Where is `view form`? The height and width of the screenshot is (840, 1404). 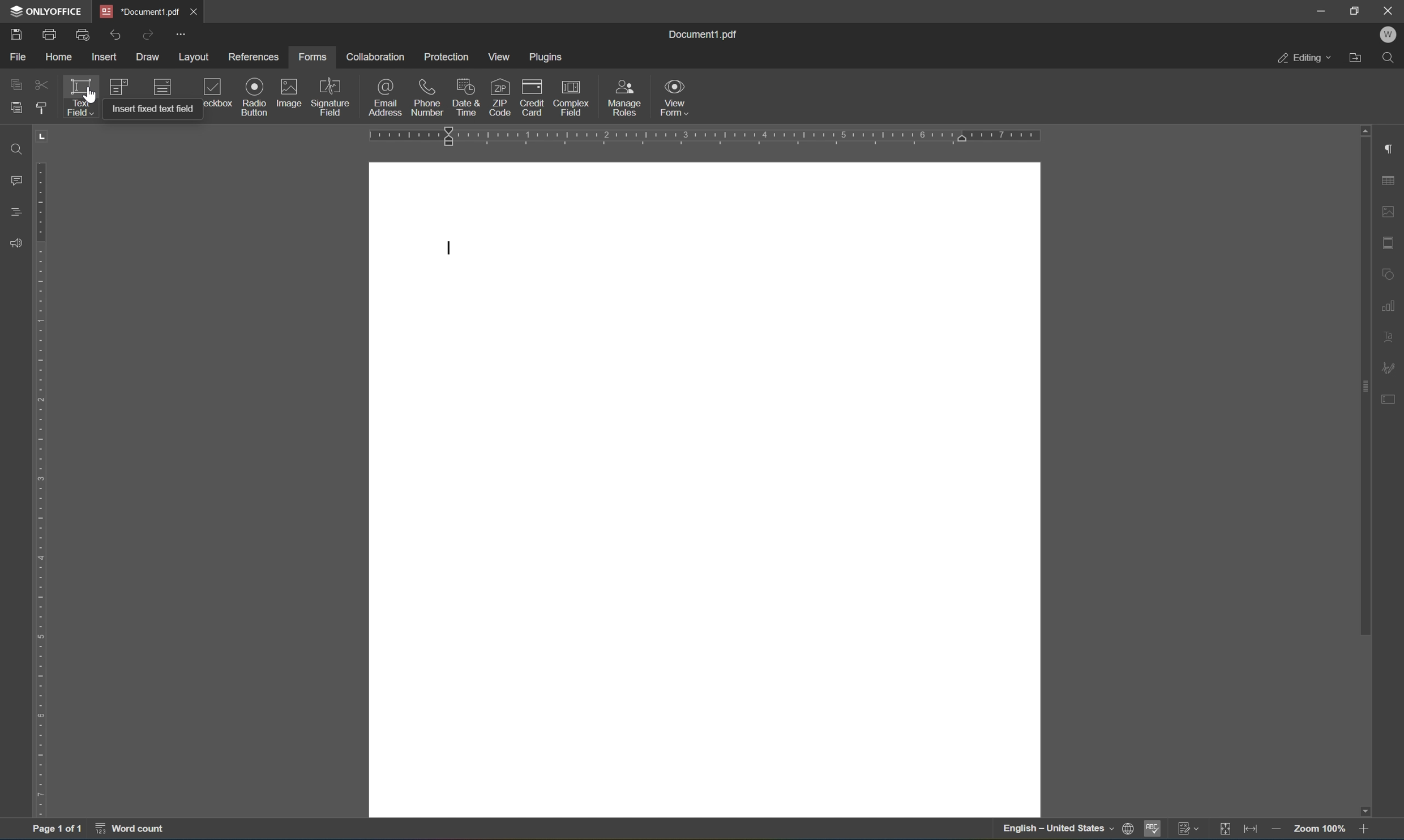 view form is located at coordinates (677, 97).